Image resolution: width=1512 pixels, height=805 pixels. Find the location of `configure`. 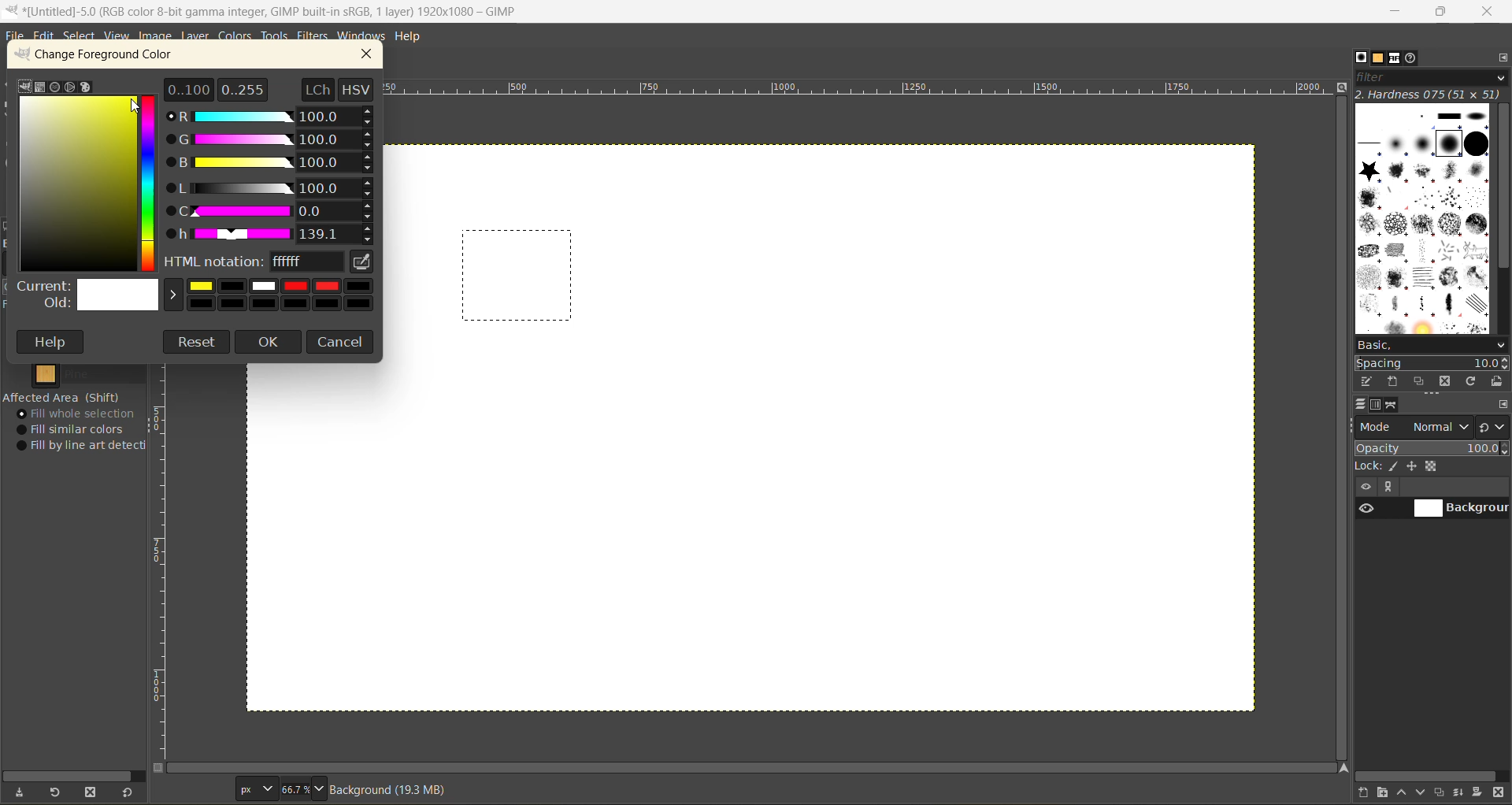

configure is located at coordinates (1502, 406).